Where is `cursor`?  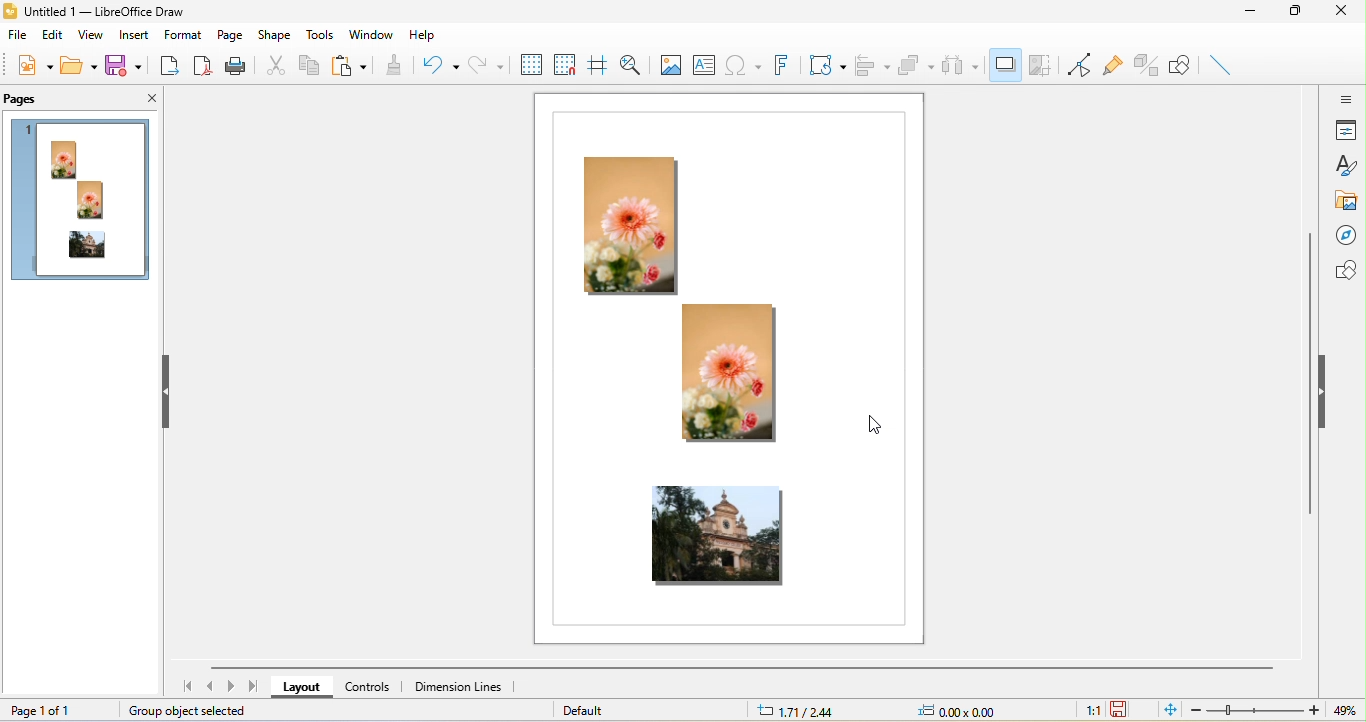
cursor is located at coordinates (876, 426).